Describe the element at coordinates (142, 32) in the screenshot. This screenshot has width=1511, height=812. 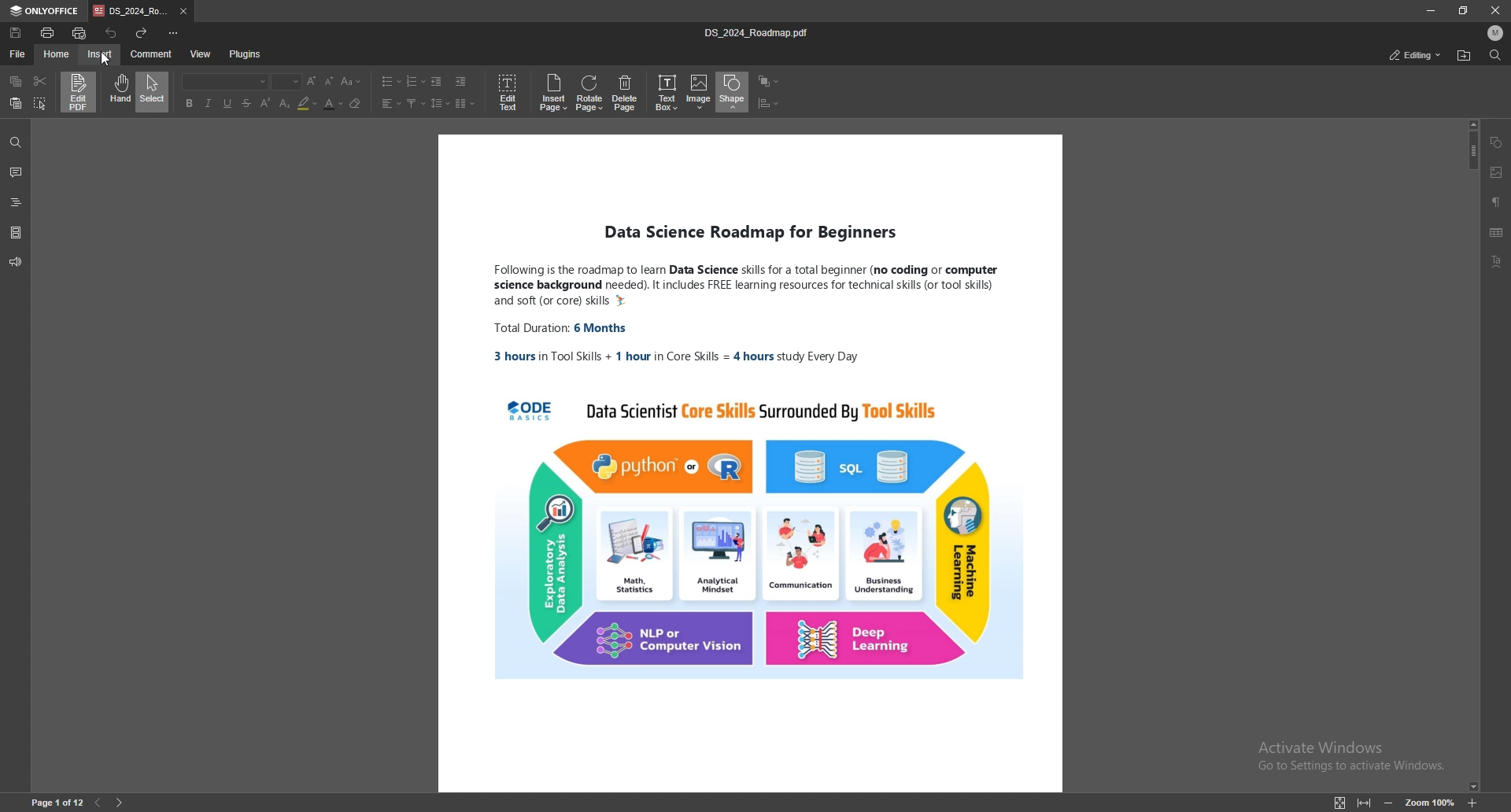
I see `redo` at that location.